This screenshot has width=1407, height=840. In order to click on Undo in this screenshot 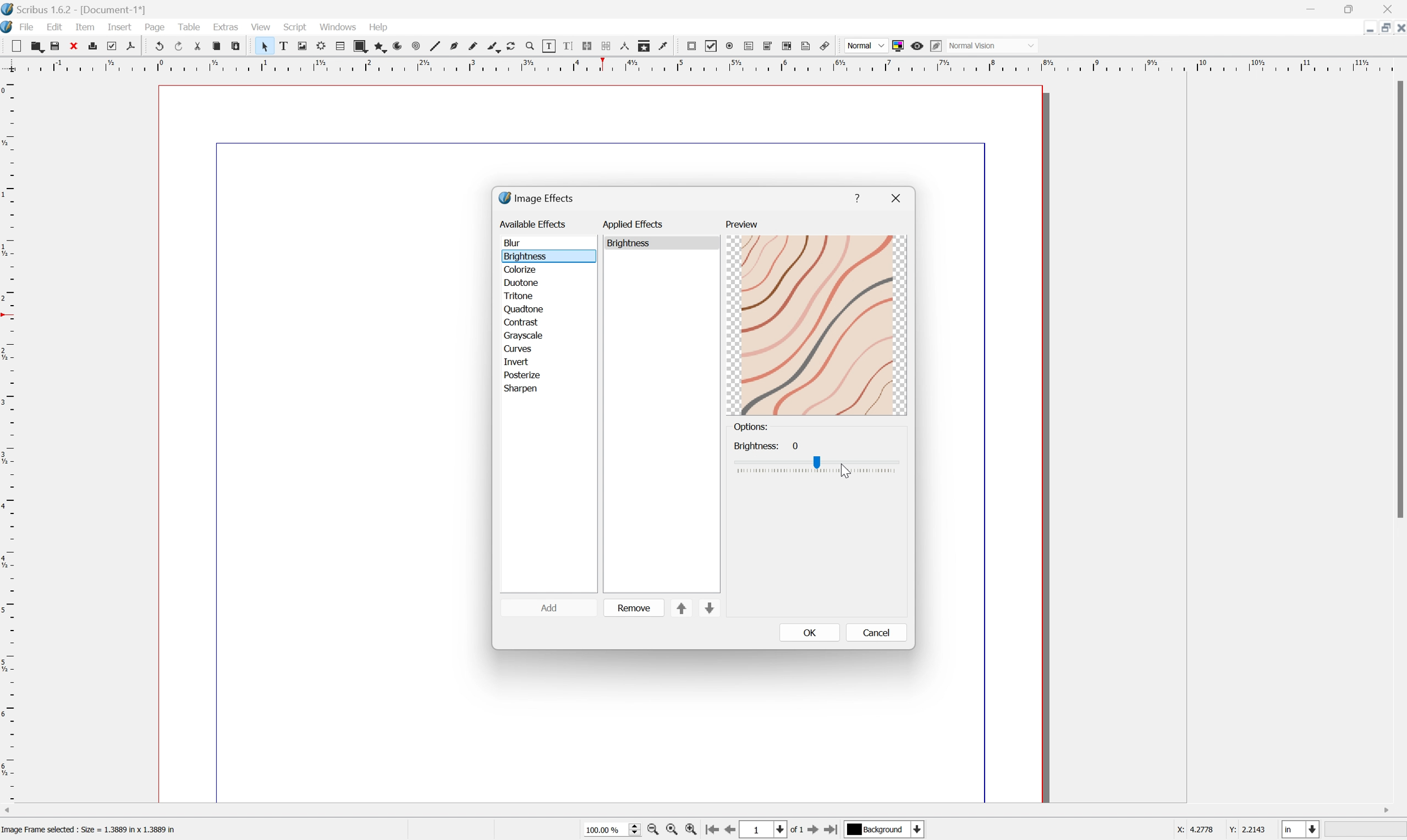, I will do `click(158, 46)`.